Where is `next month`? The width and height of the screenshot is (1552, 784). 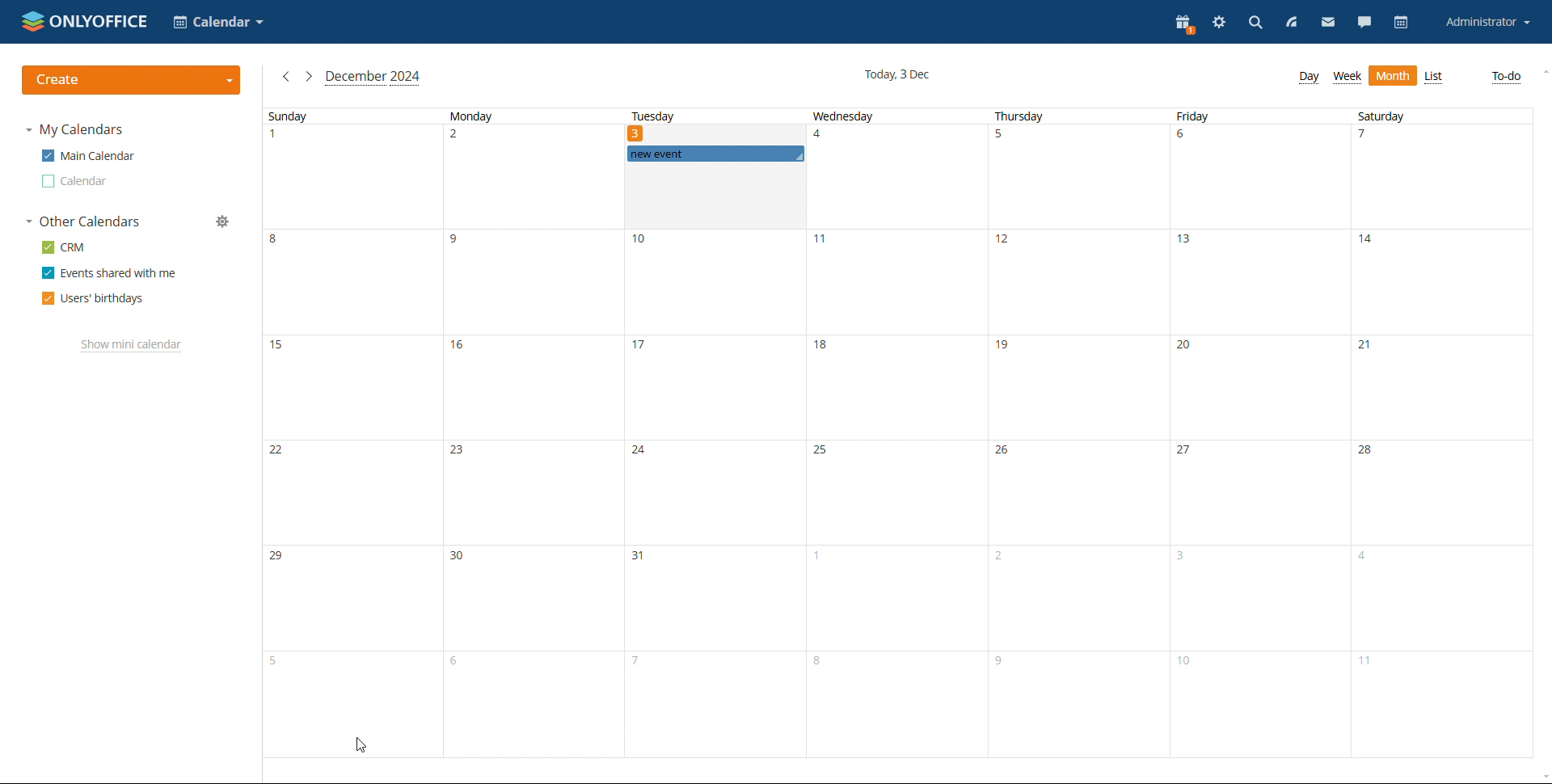 next month is located at coordinates (309, 76).